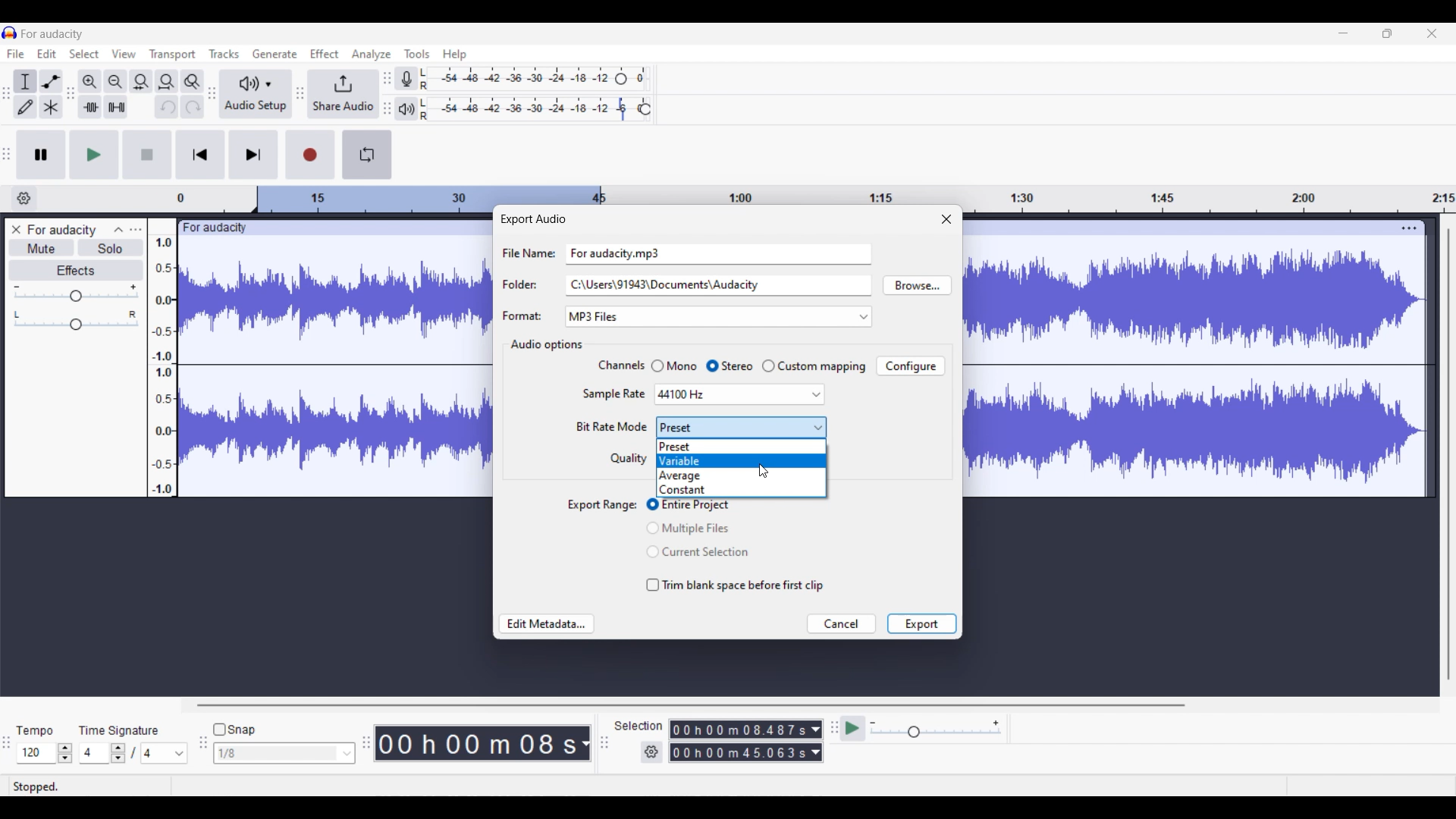  Describe the element at coordinates (546, 624) in the screenshot. I see `Edit metadata` at that location.